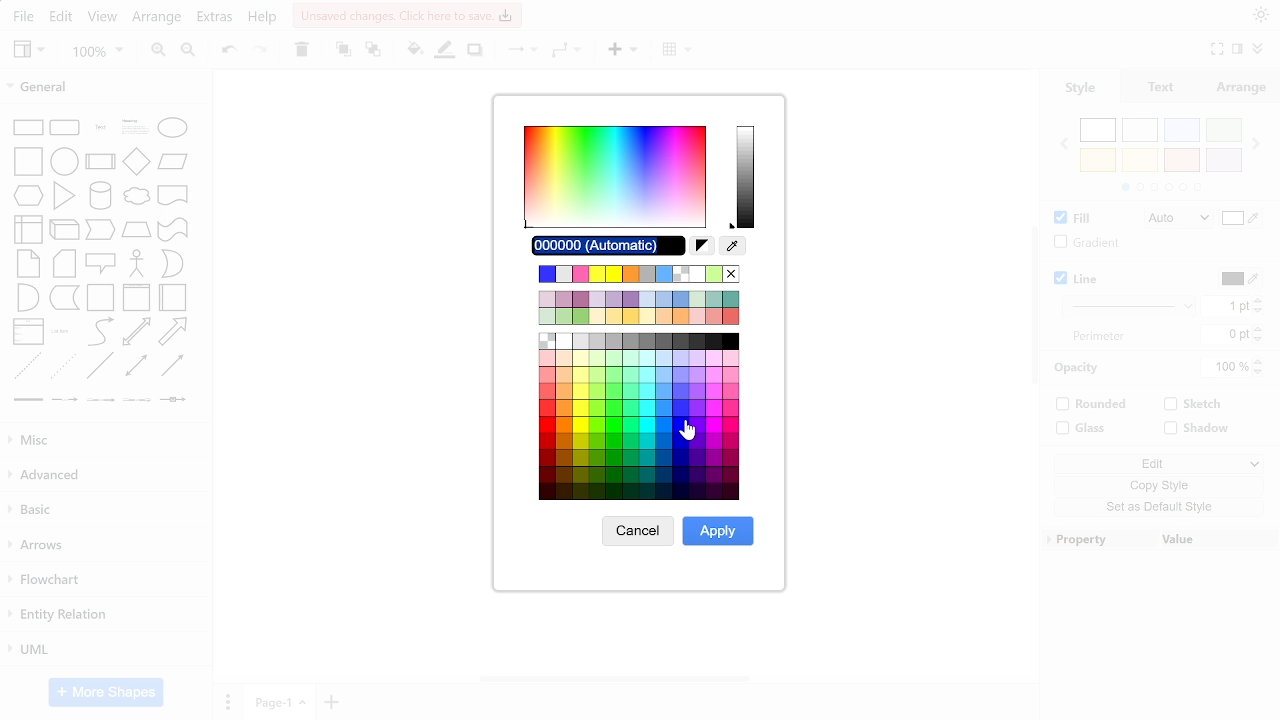 Image resolution: width=1280 pixels, height=720 pixels. Describe the element at coordinates (1257, 143) in the screenshot. I see `next` at that location.